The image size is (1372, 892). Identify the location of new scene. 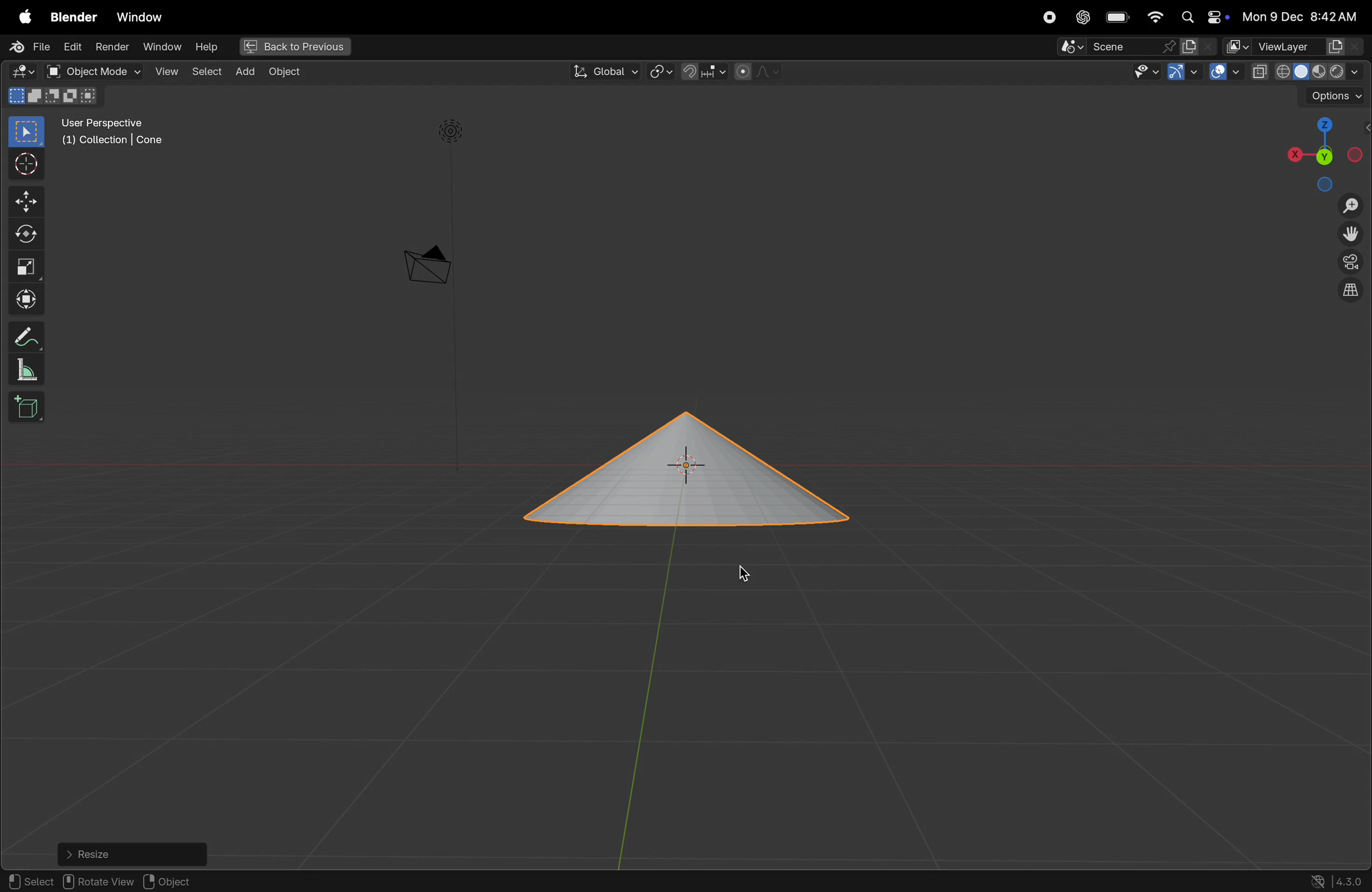
(1197, 46).